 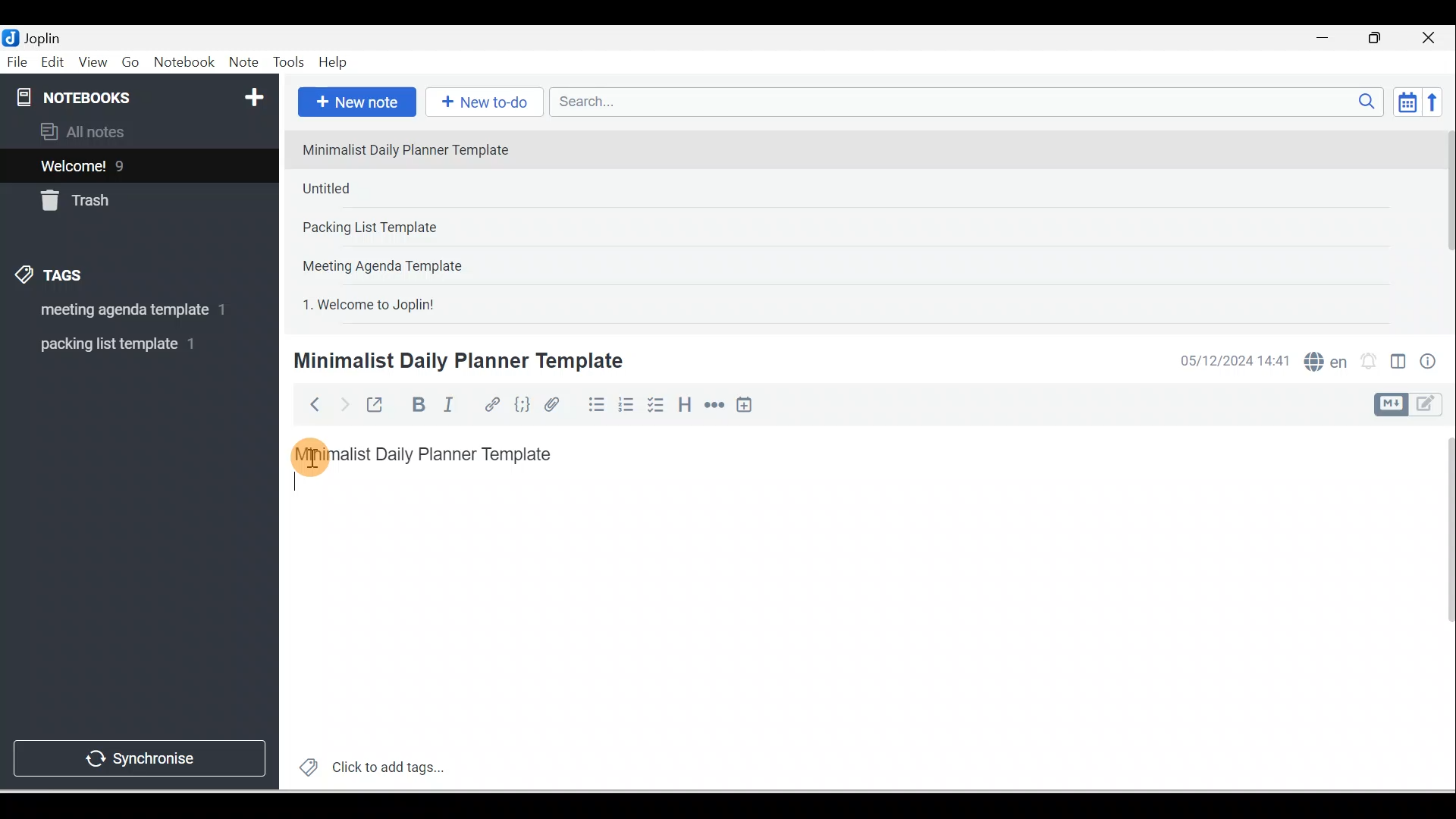 What do you see at coordinates (556, 404) in the screenshot?
I see `Attach file` at bounding box center [556, 404].